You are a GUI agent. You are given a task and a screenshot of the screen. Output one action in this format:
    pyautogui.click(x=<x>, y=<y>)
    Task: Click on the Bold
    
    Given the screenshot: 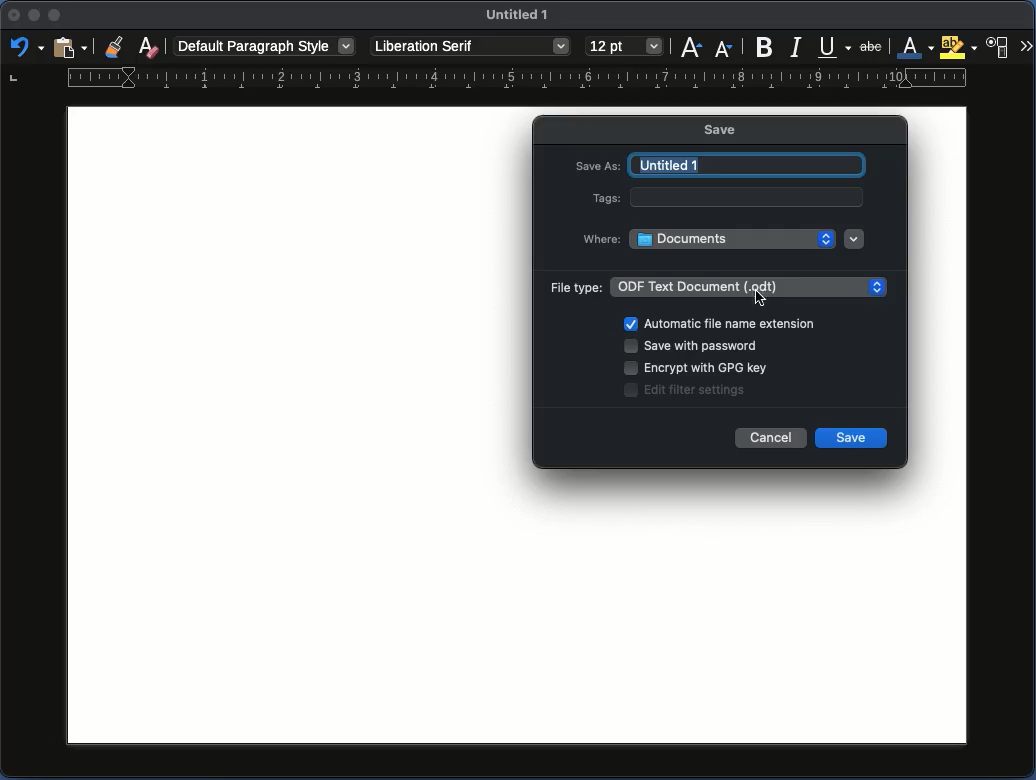 What is the action you would take?
    pyautogui.click(x=765, y=45)
    